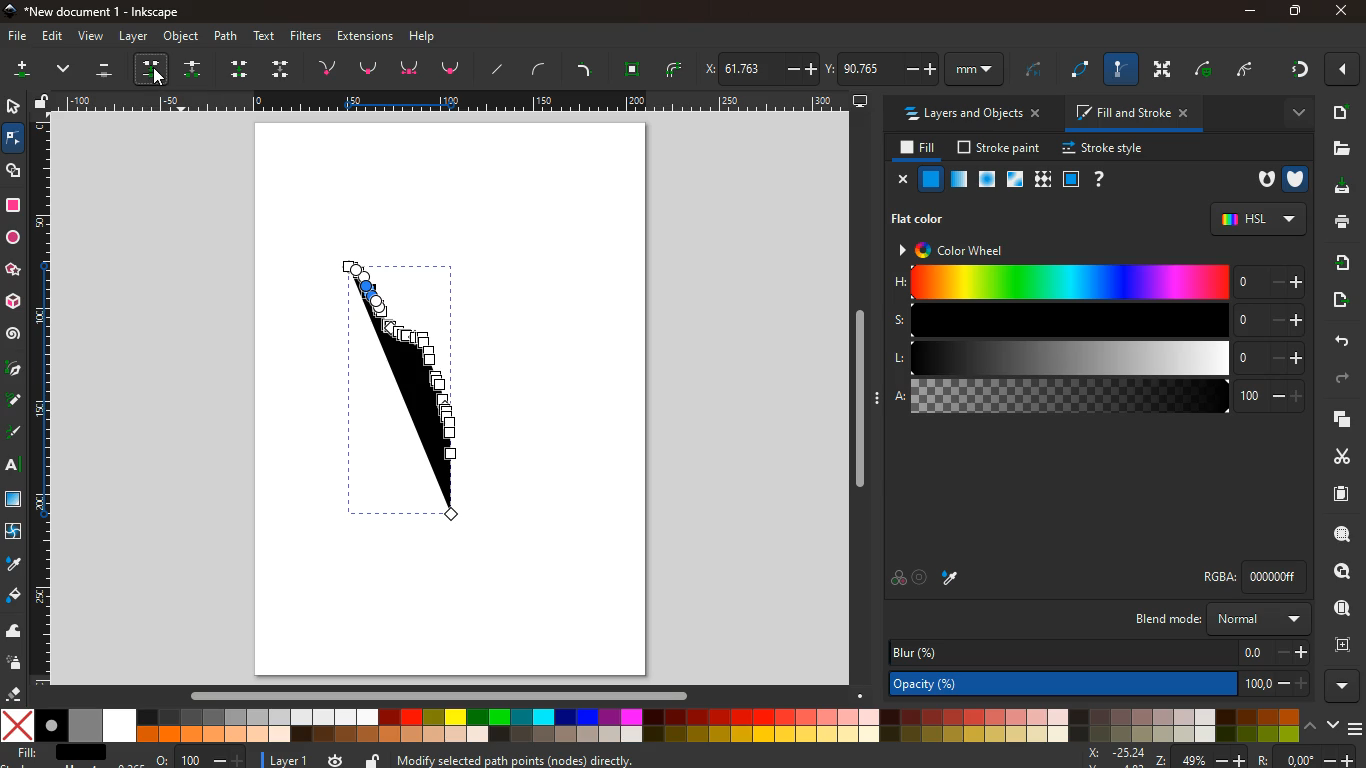 The height and width of the screenshot is (768, 1366). What do you see at coordinates (266, 36) in the screenshot?
I see `text` at bounding box center [266, 36].